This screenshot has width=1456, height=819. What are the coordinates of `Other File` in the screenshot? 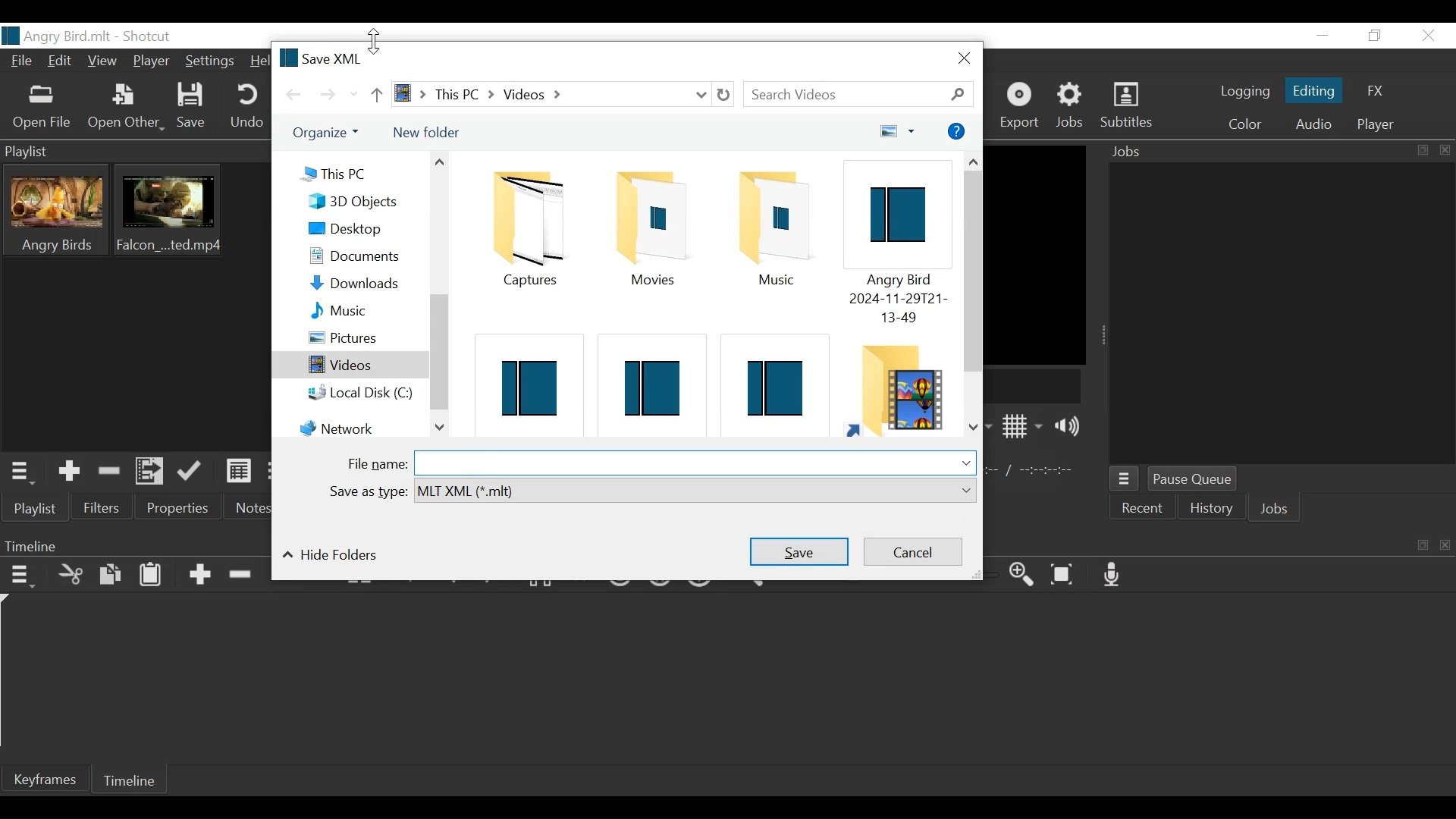 It's located at (122, 107).